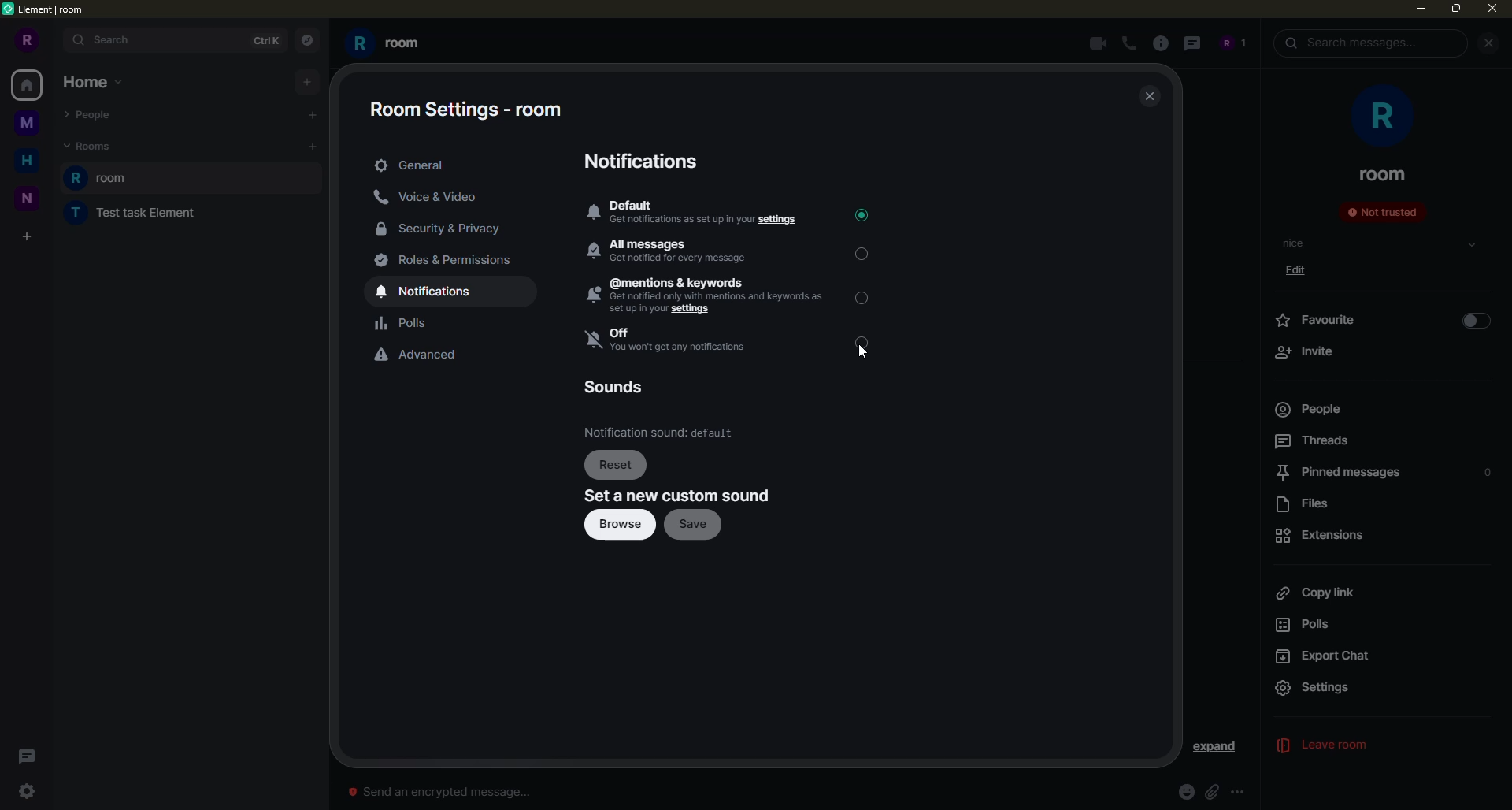 This screenshot has height=810, width=1512. Describe the element at coordinates (1232, 43) in the screenshot. I see `account` at that location.